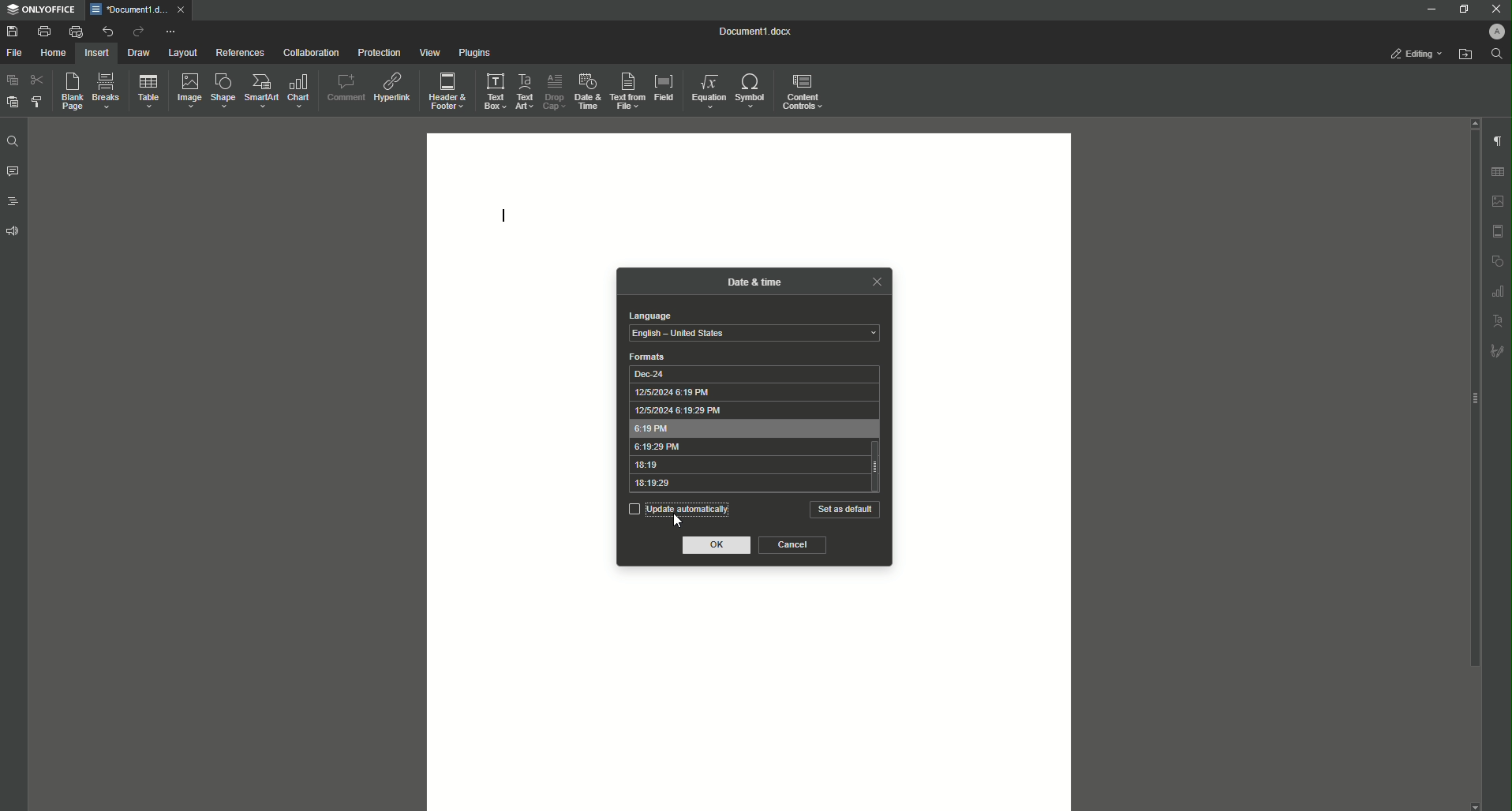  I want to click on Quick print, so click(75, 32).